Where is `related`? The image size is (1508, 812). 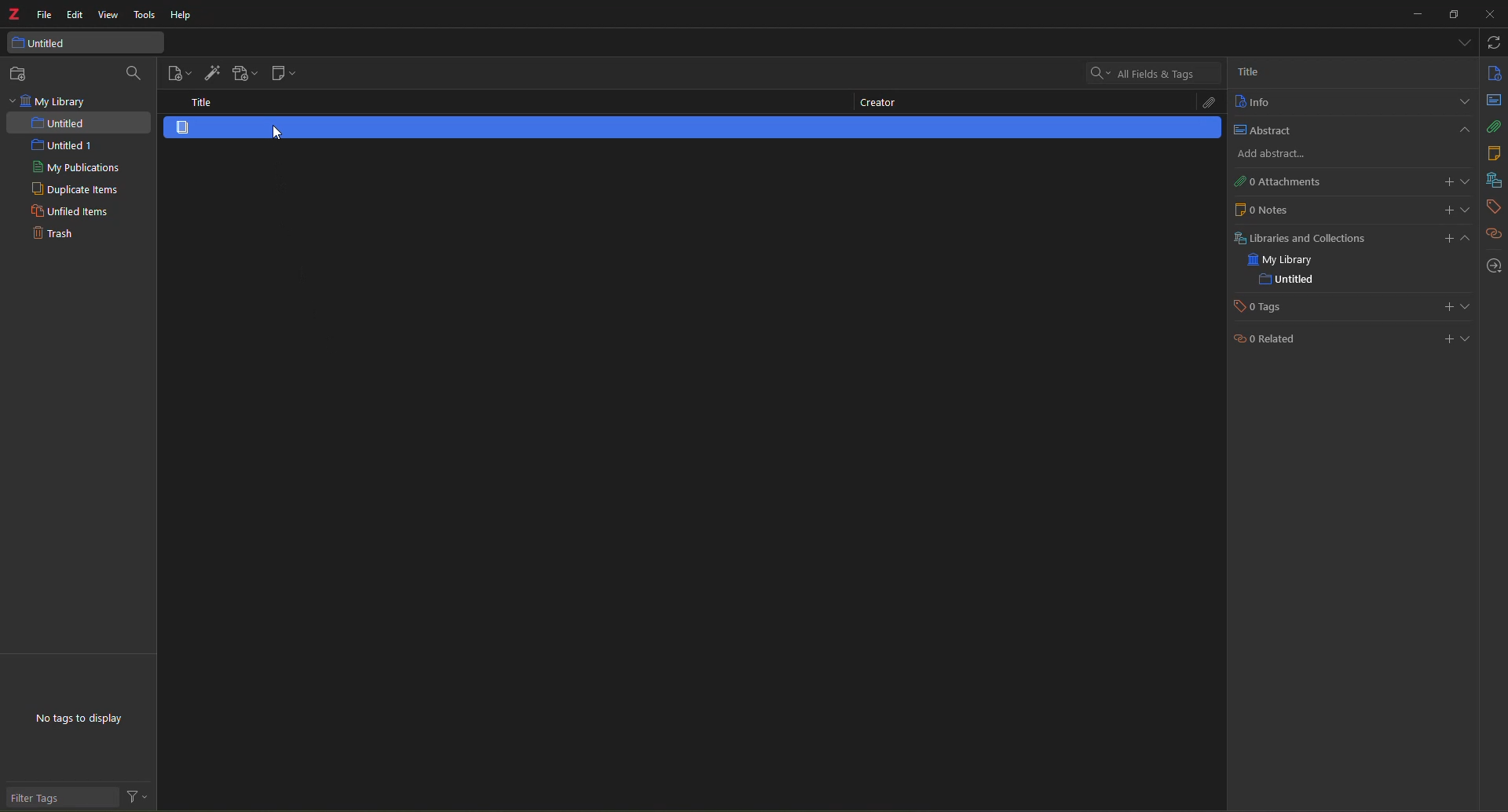 related is located at coordinates (1495, 234).